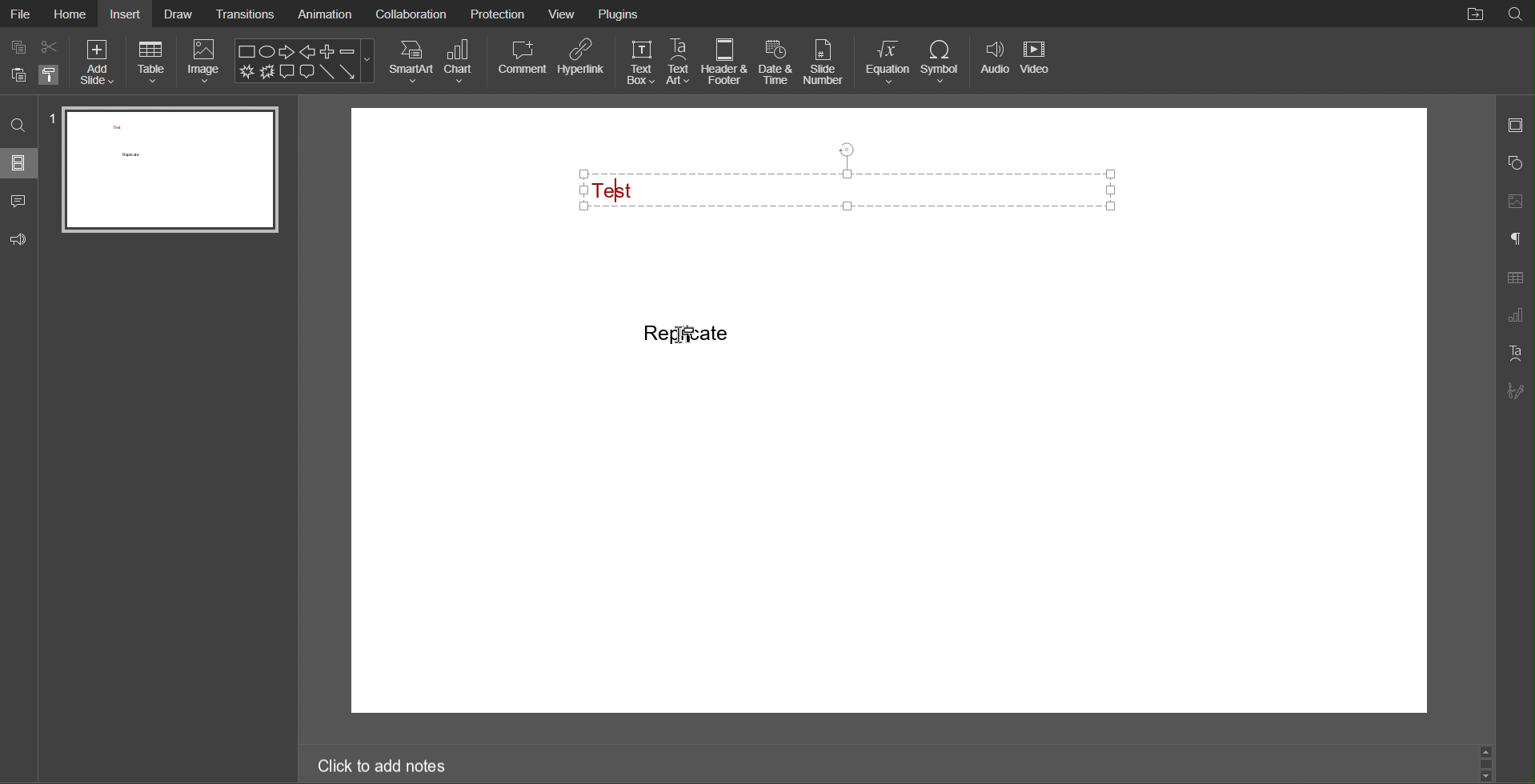 Image resolution: width=1535 pixels, height=784 pixels. Describe the element at coordinates (679, 62) in the screenshot. I see `Text Art` at that location.